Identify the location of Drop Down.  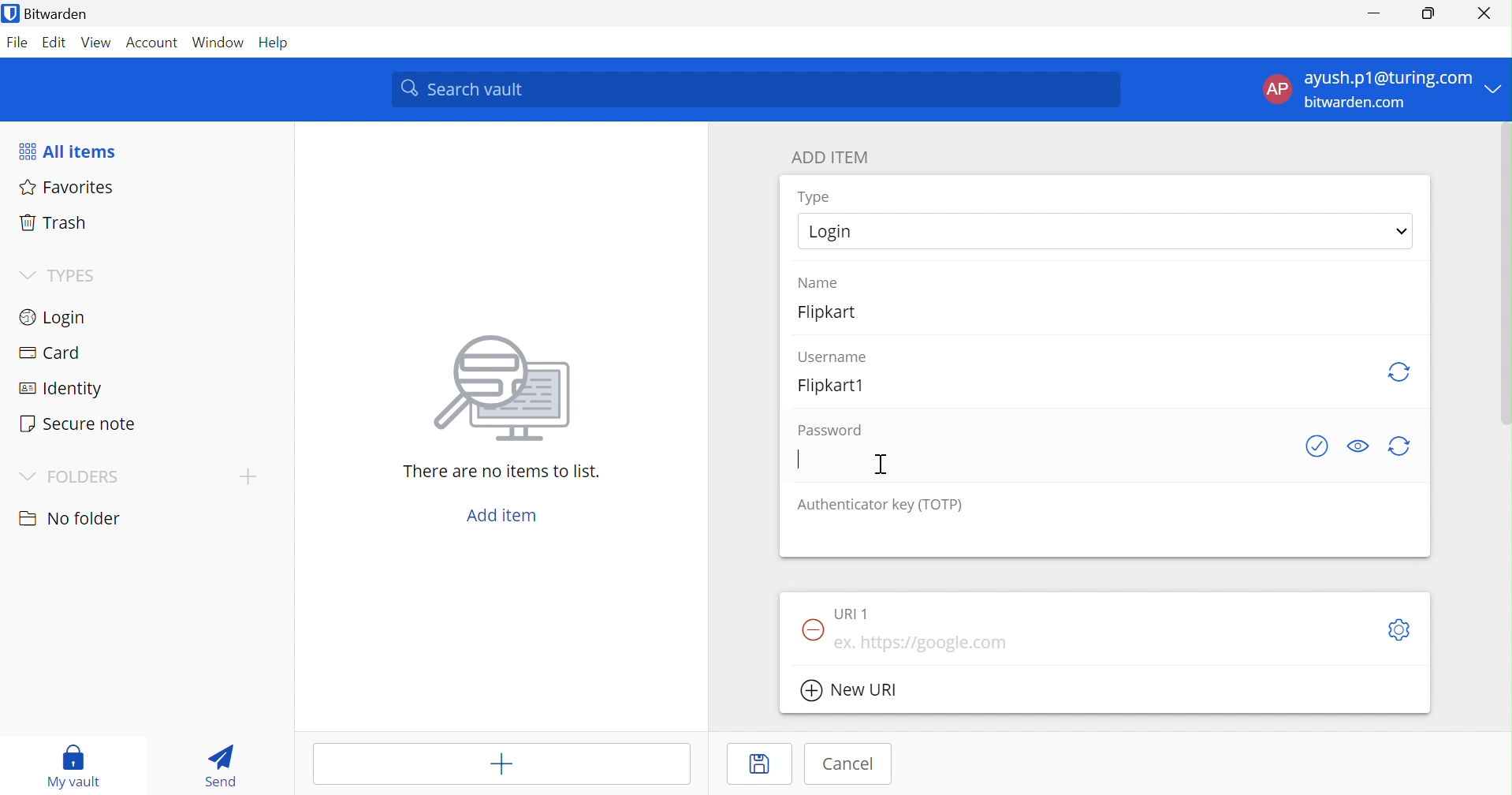
(25, 273).